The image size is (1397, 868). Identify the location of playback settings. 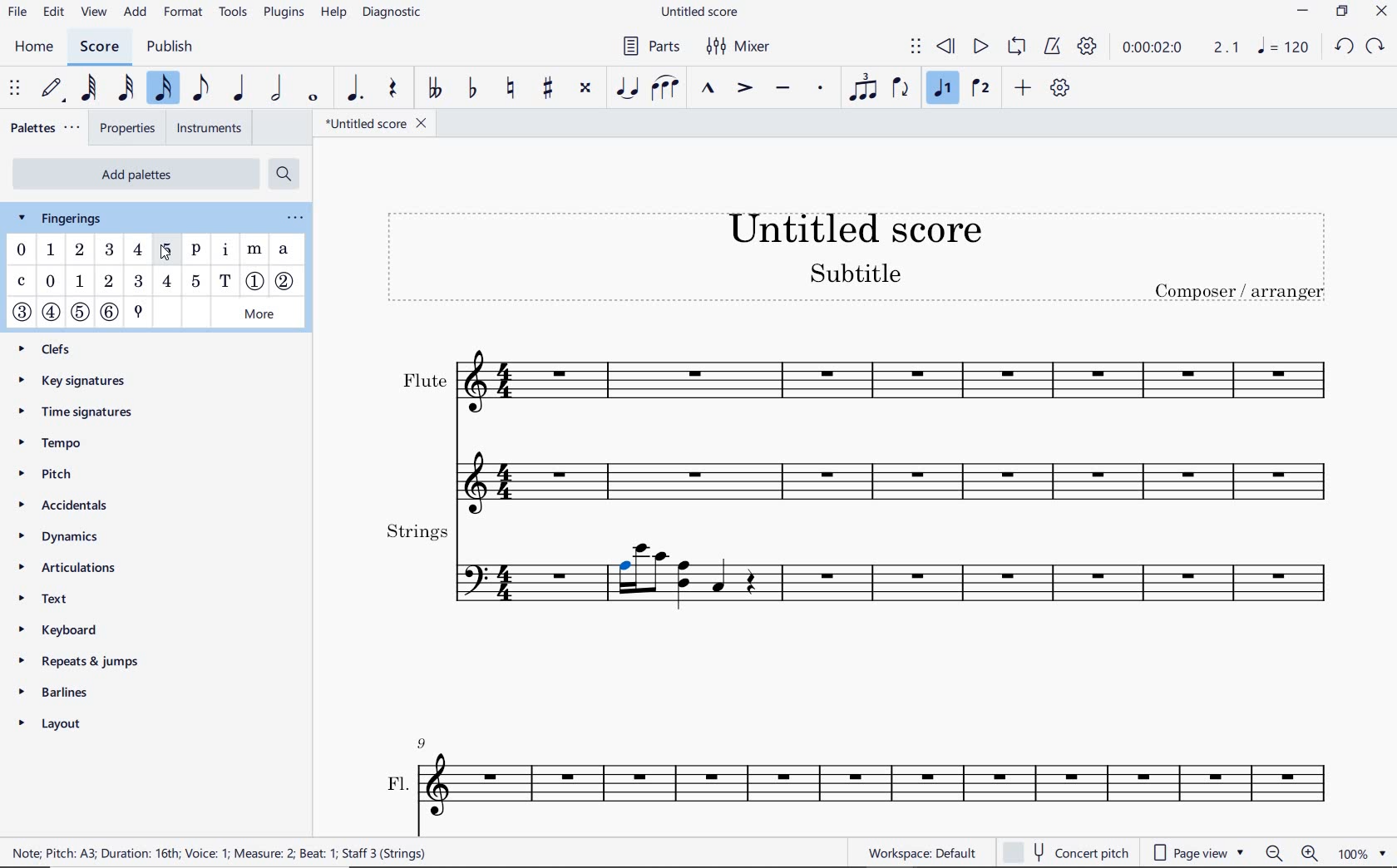
(1088, 47).